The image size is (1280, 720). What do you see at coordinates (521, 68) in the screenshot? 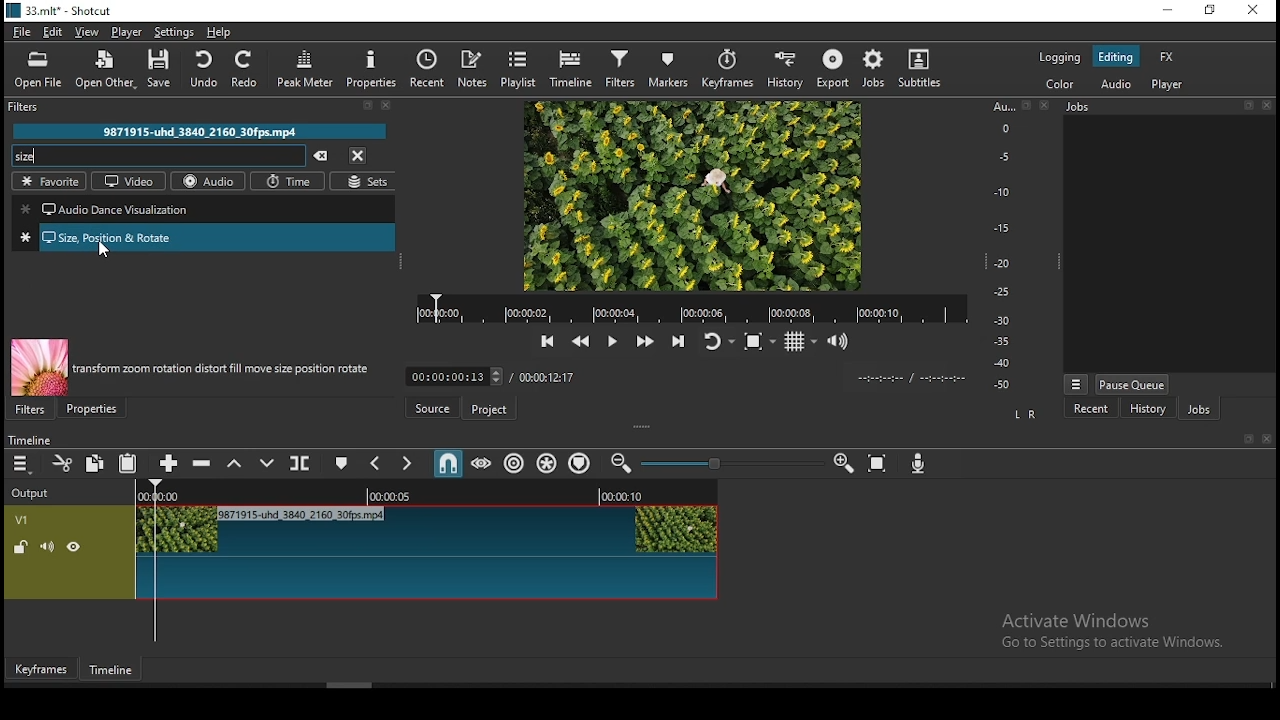
I see `playlist` at bounding box center [521, 68].